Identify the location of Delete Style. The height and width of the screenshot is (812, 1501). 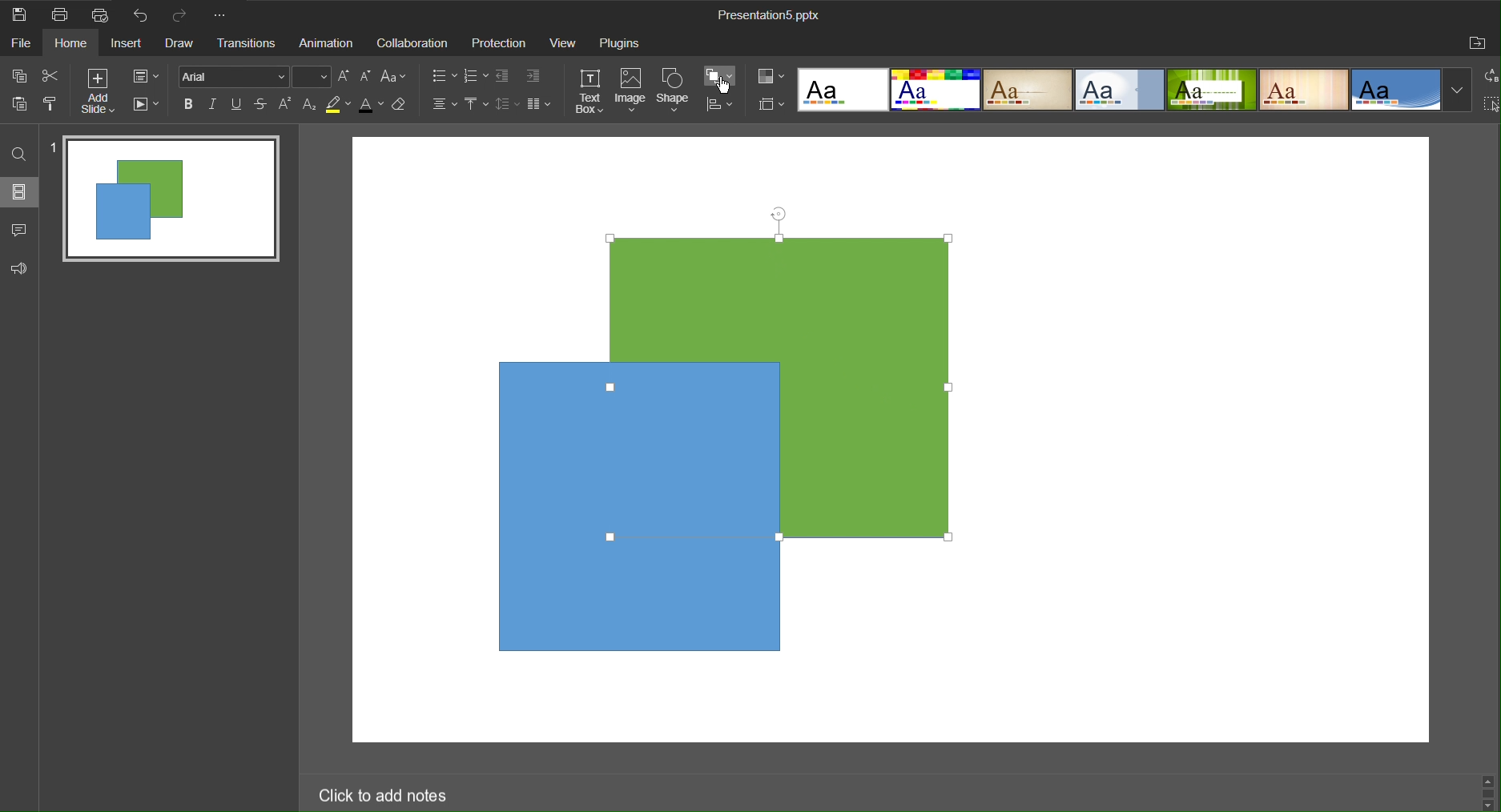
(408, 108).